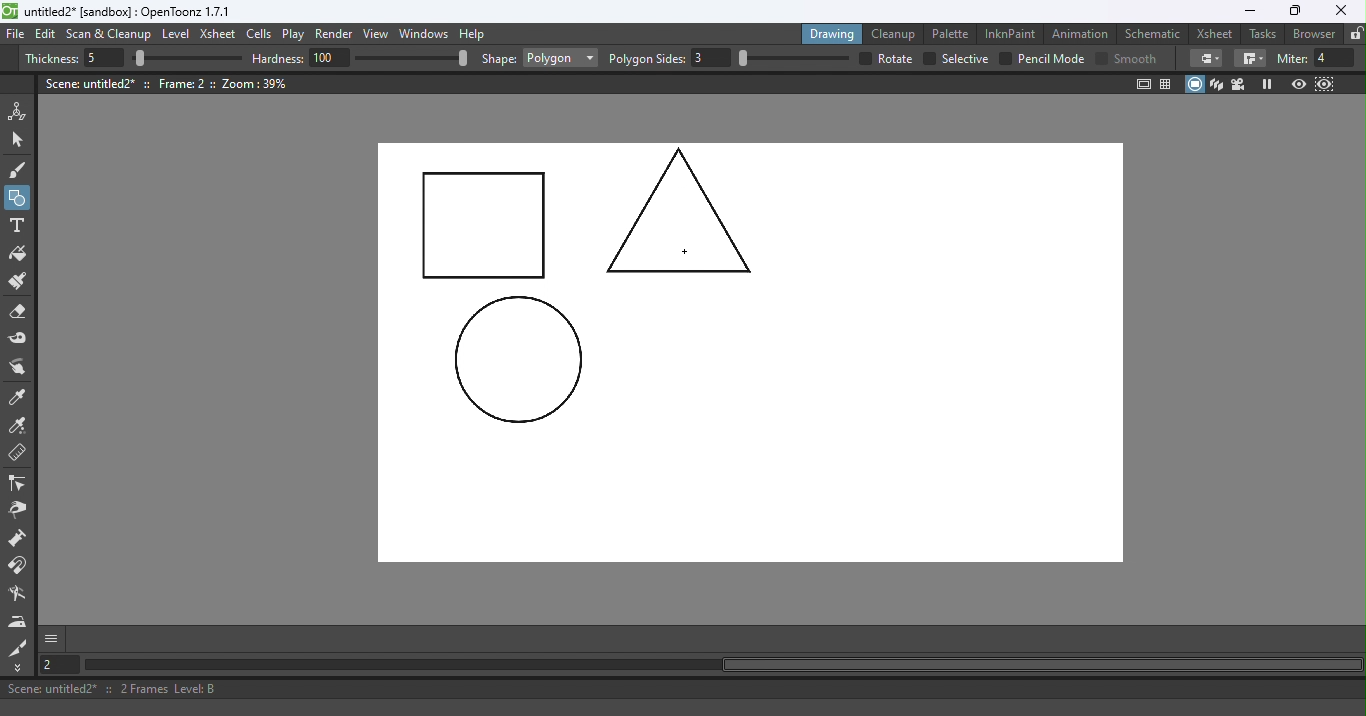  Describe the element at coordinates (1311, 33) in the screenshot. I see `Browser` at that location.